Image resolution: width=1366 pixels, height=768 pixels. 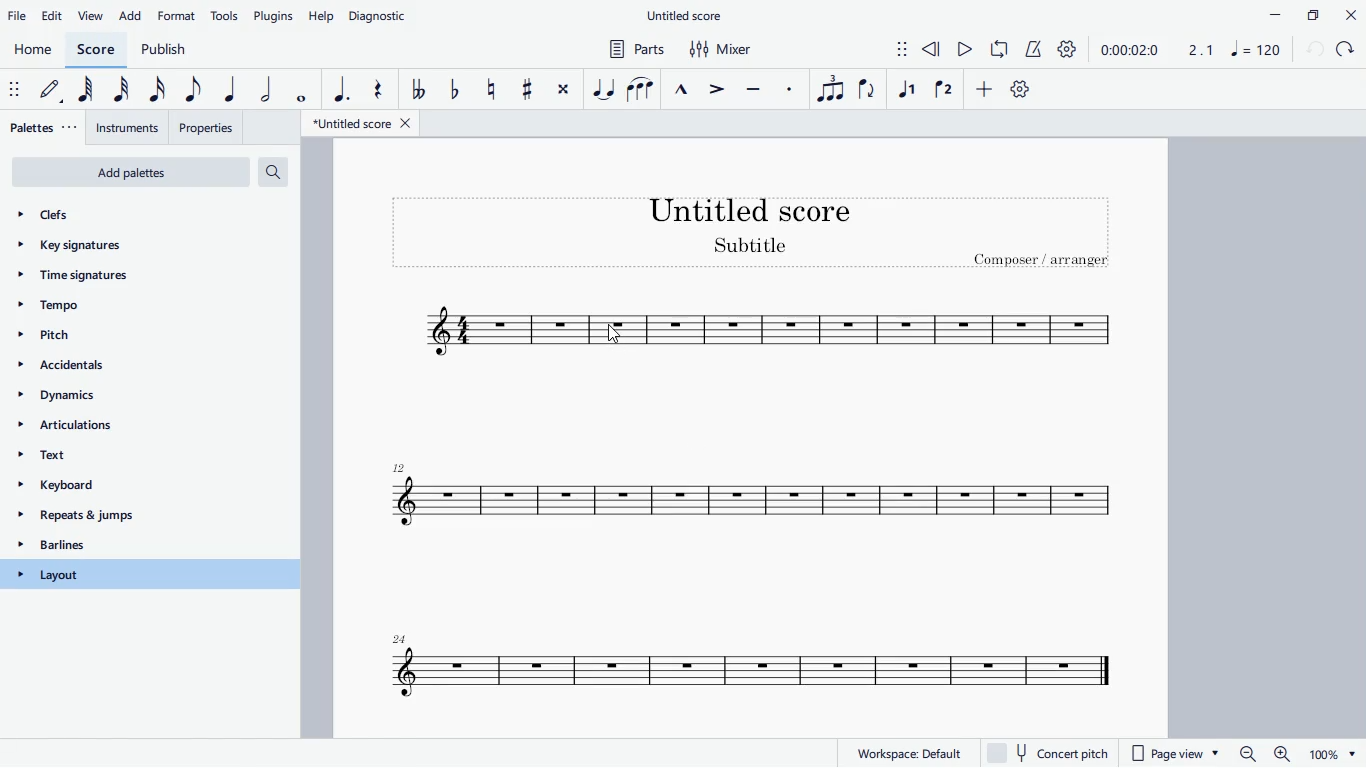 I want to click on file, so click(x=18, y=16).